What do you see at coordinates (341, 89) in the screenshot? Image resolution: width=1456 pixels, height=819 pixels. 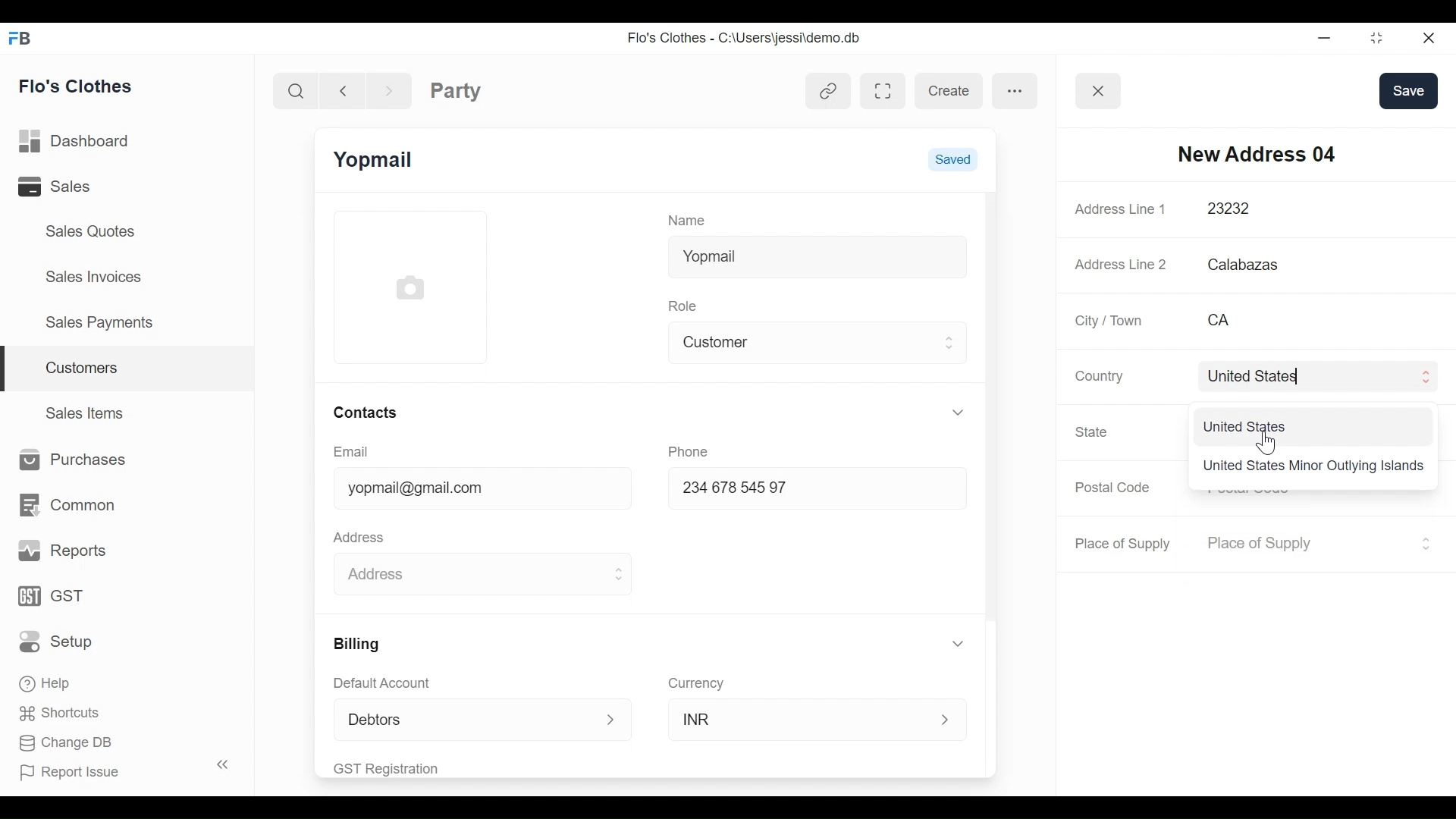 I see `Navigate back` at bounding box center [341, 89].